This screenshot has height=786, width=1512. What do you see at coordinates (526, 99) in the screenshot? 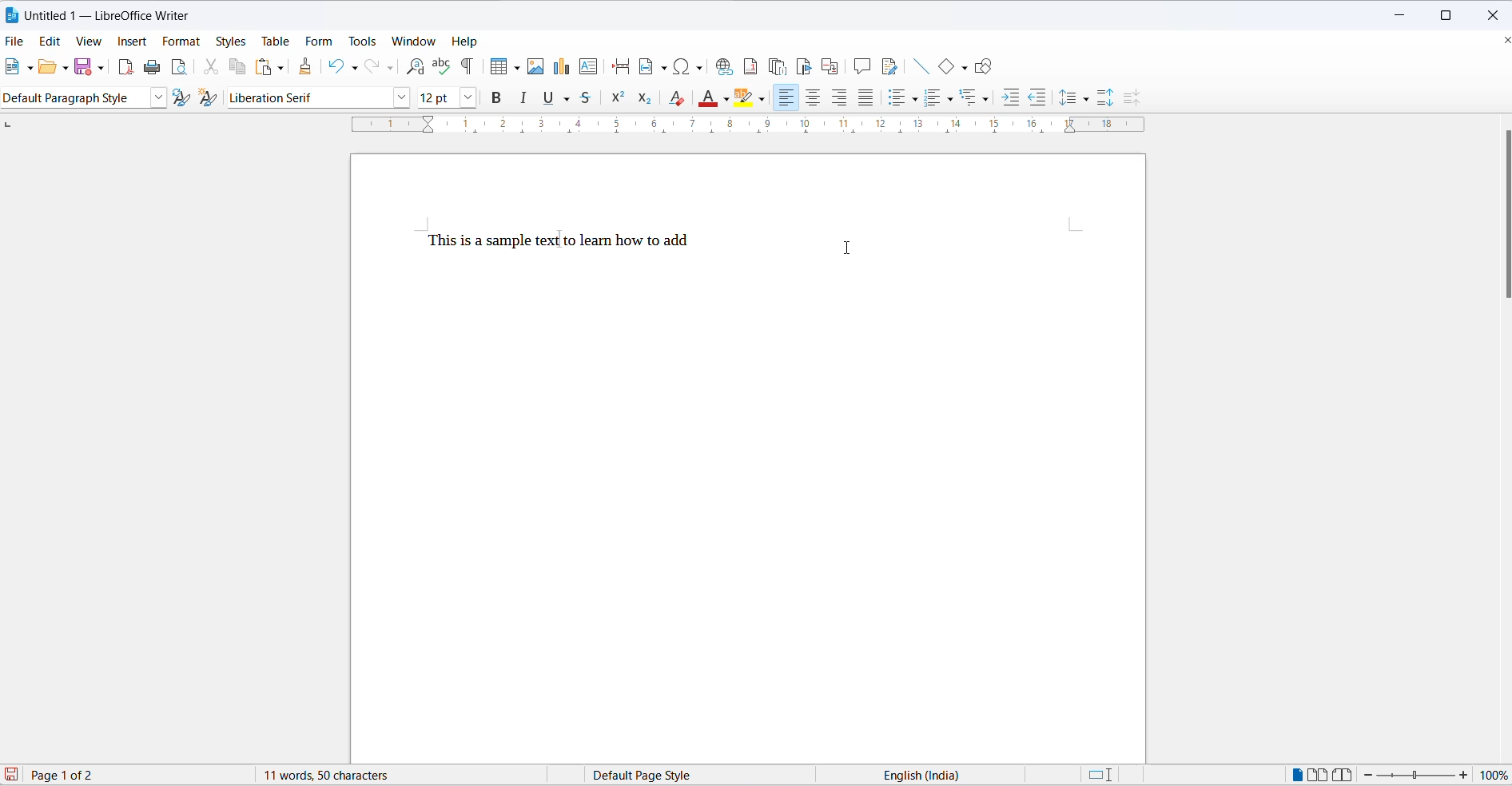
I see `italic` at bounding box center [526, 99].